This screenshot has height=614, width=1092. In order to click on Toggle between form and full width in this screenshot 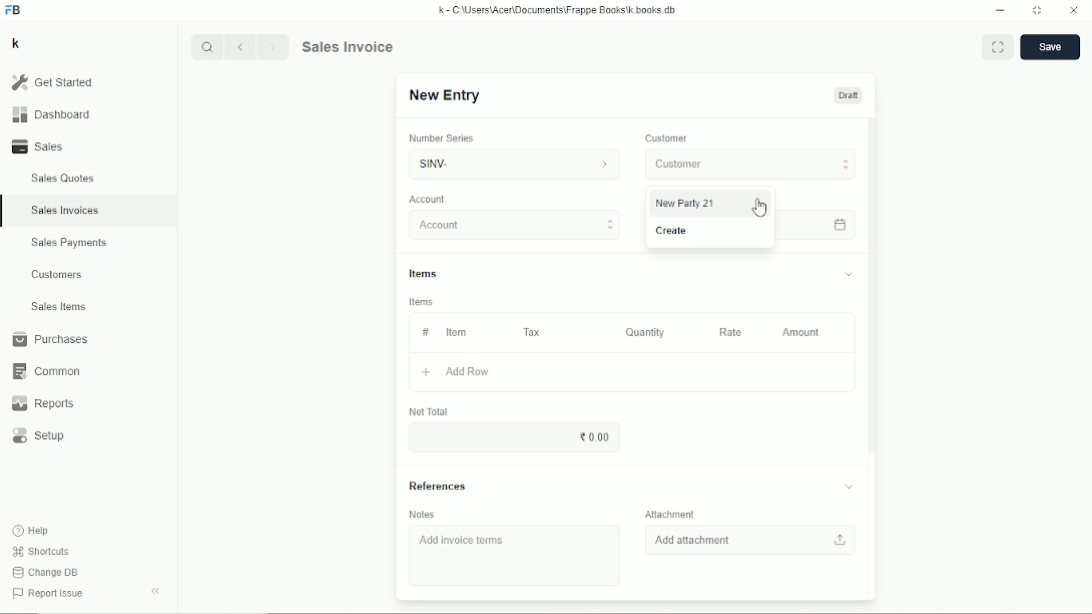, I will do `click(1038, 11)`.